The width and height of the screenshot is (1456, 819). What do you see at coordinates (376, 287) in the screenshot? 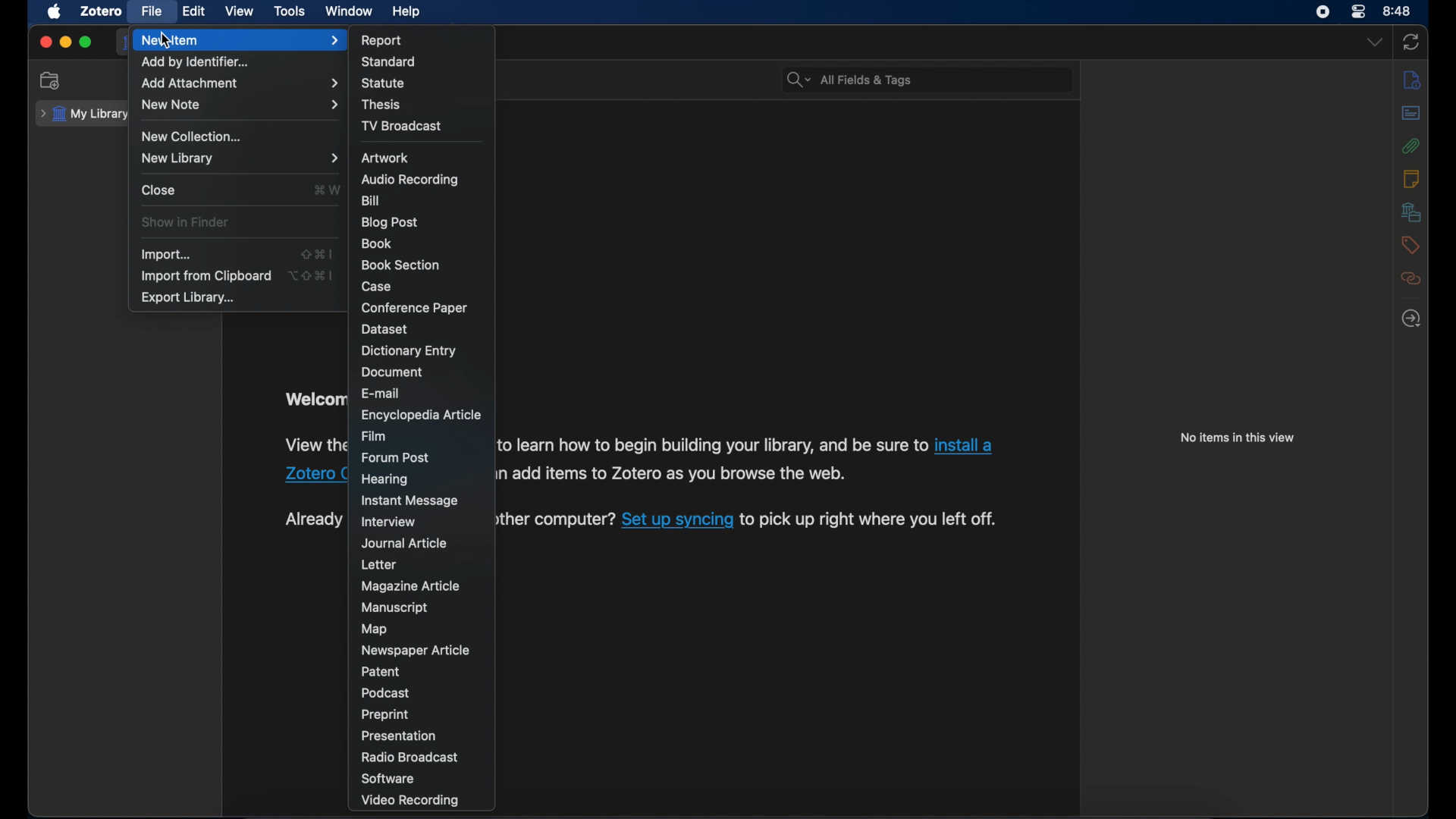
I see `case` at bounding box center [376, 287].